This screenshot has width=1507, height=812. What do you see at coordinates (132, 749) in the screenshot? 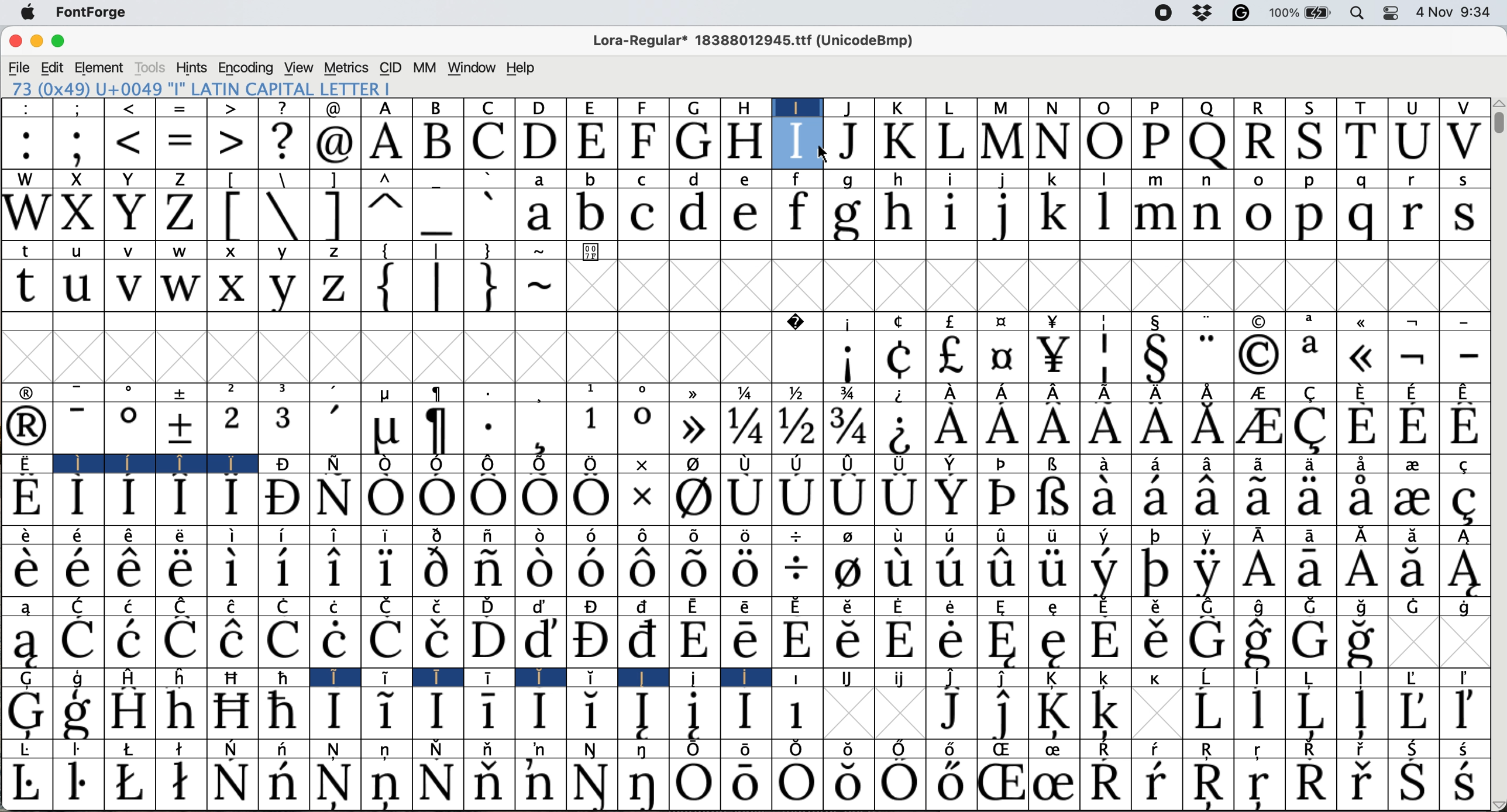
I see `Symbol` at bounding box center [132, 749].